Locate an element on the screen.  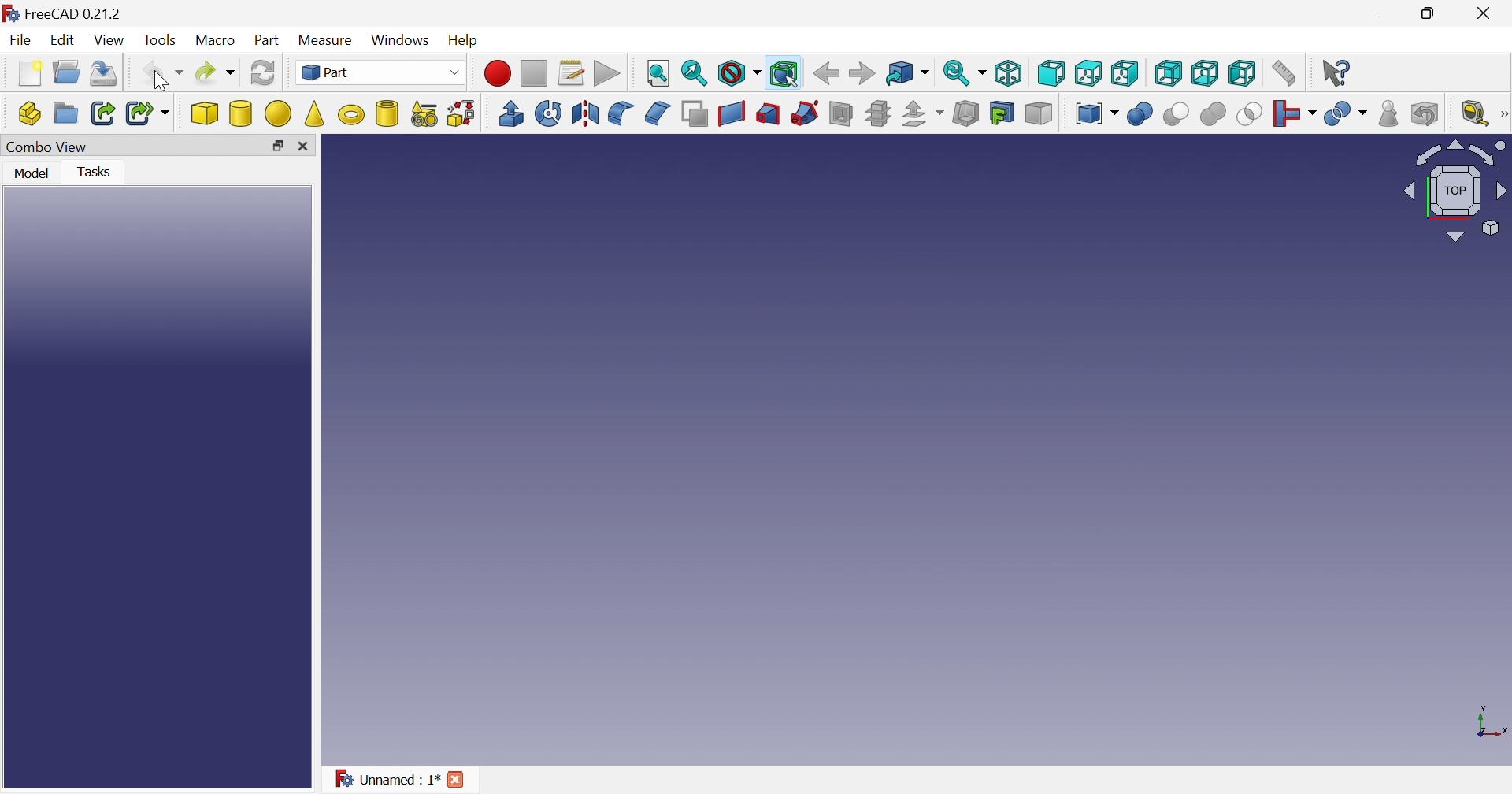
Measure distance is located at coordinates (1283, 73).